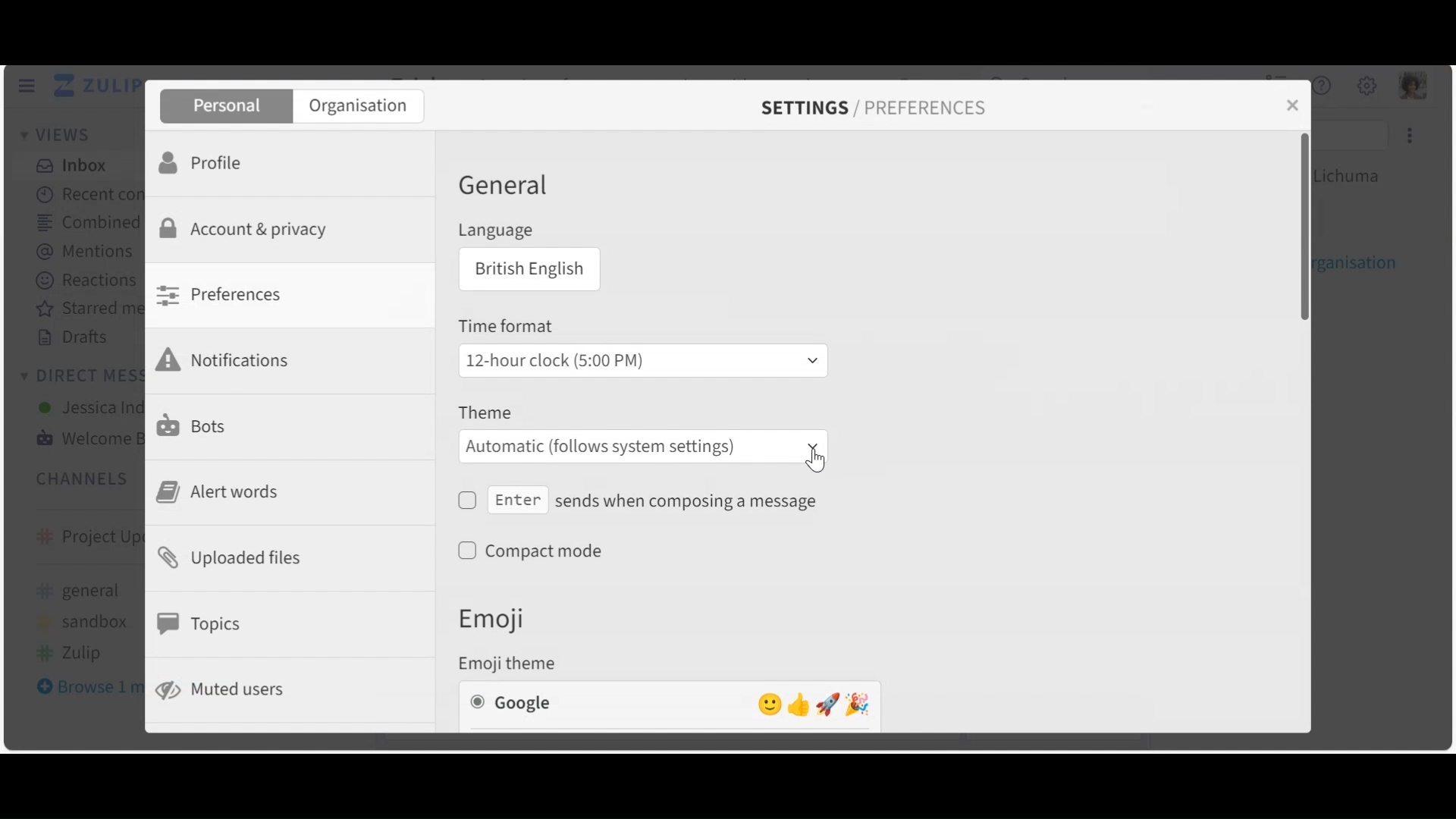  Describe the element at coordinates (504, 618) in the screenshot. I see `Emoji` at that location.